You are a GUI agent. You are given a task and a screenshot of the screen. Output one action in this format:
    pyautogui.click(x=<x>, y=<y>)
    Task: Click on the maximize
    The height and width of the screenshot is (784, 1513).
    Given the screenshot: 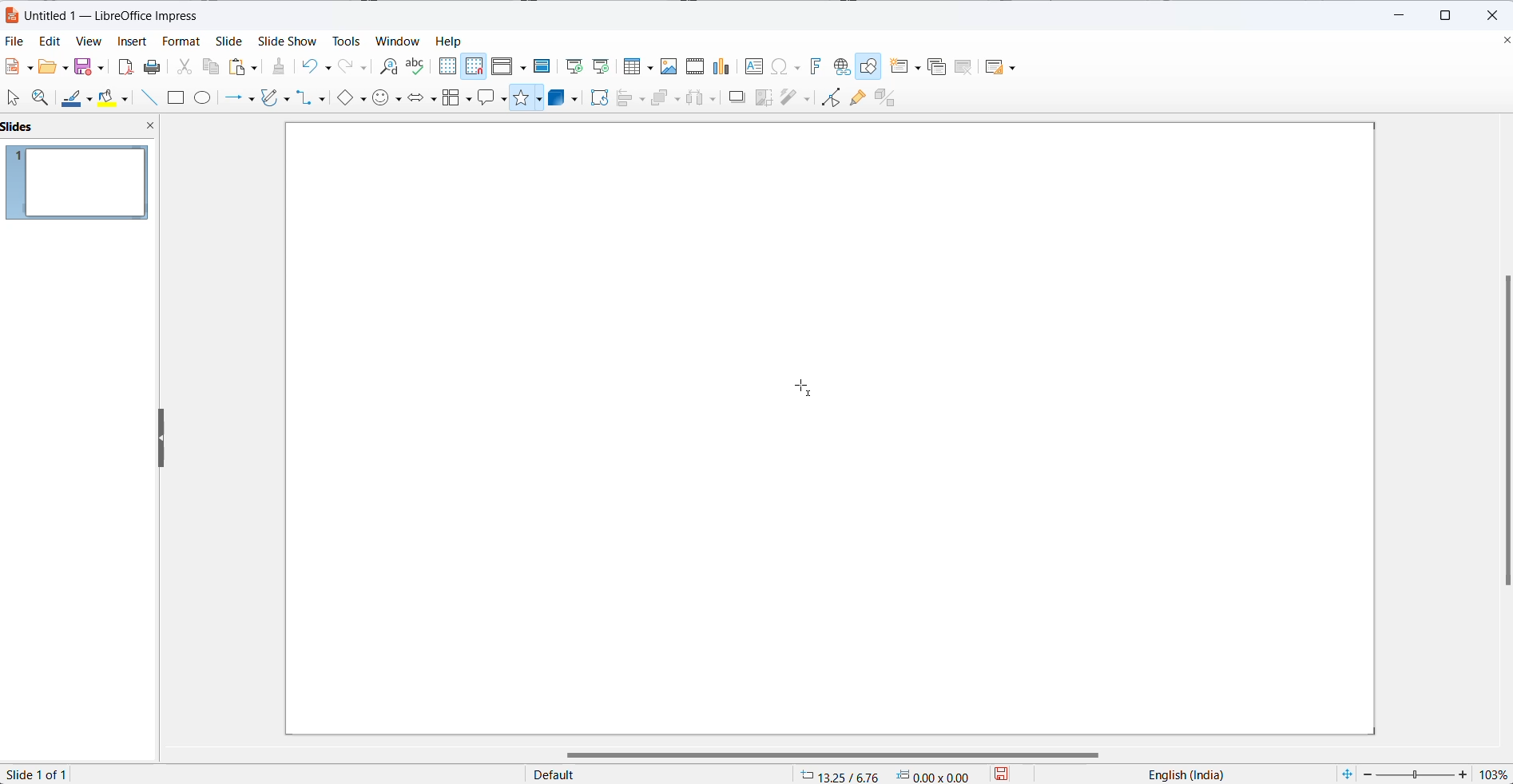 What is the action you would take?
    pyautogui.click(x=1448, y=16)
    